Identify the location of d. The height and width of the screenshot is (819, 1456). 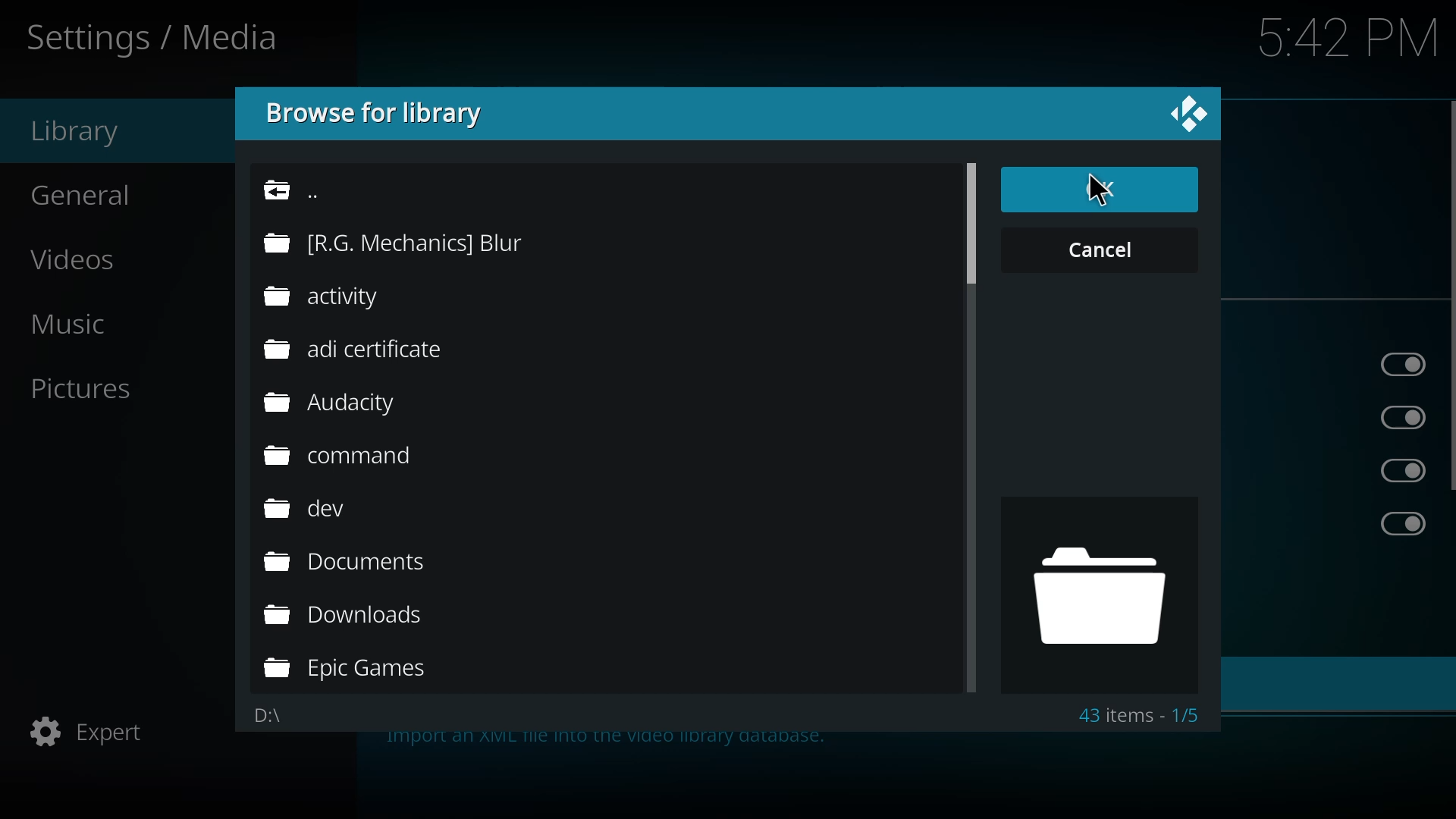
(266, 715).